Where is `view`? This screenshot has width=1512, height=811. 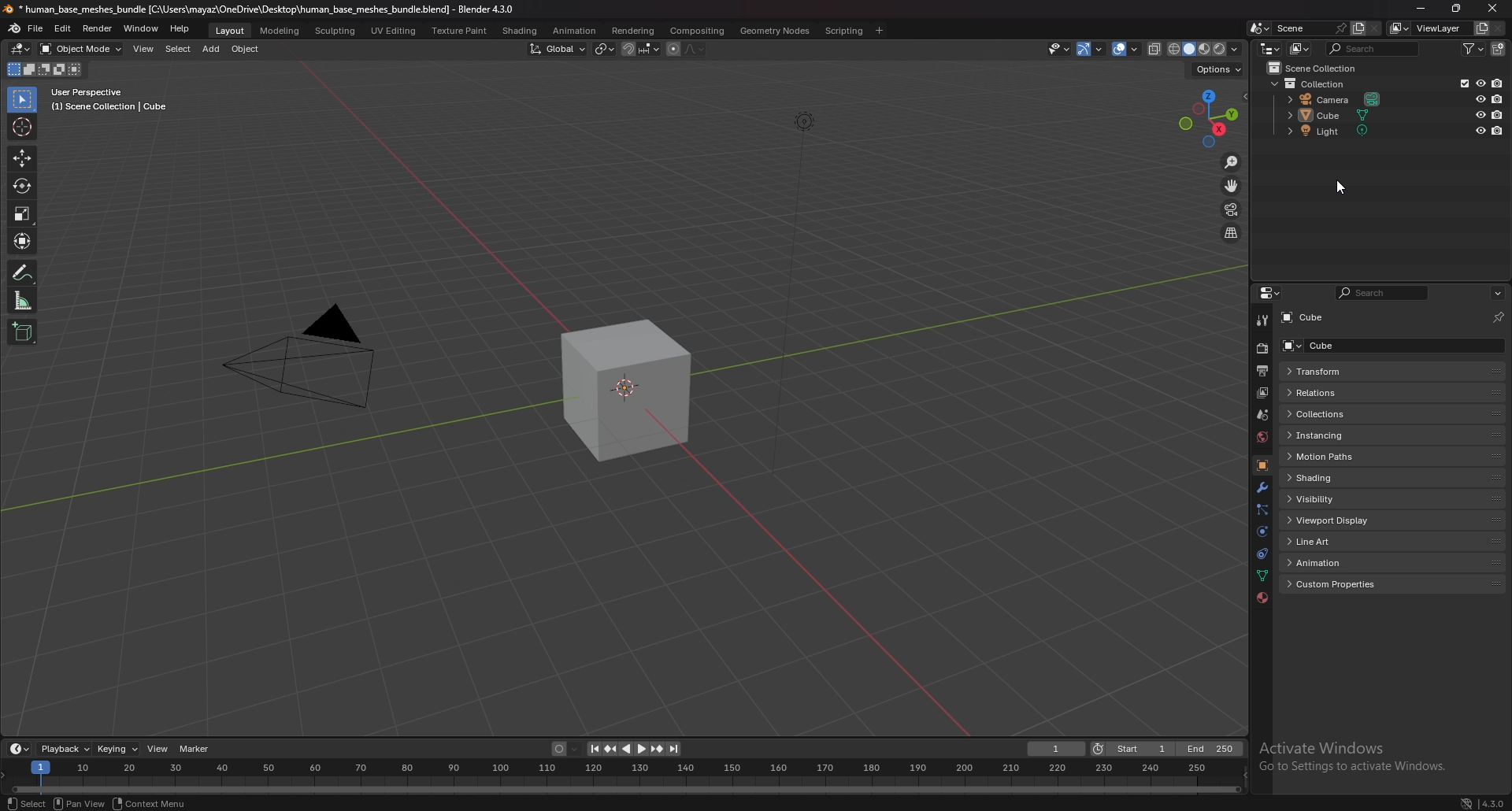 view is located at coordinates (145, 49).